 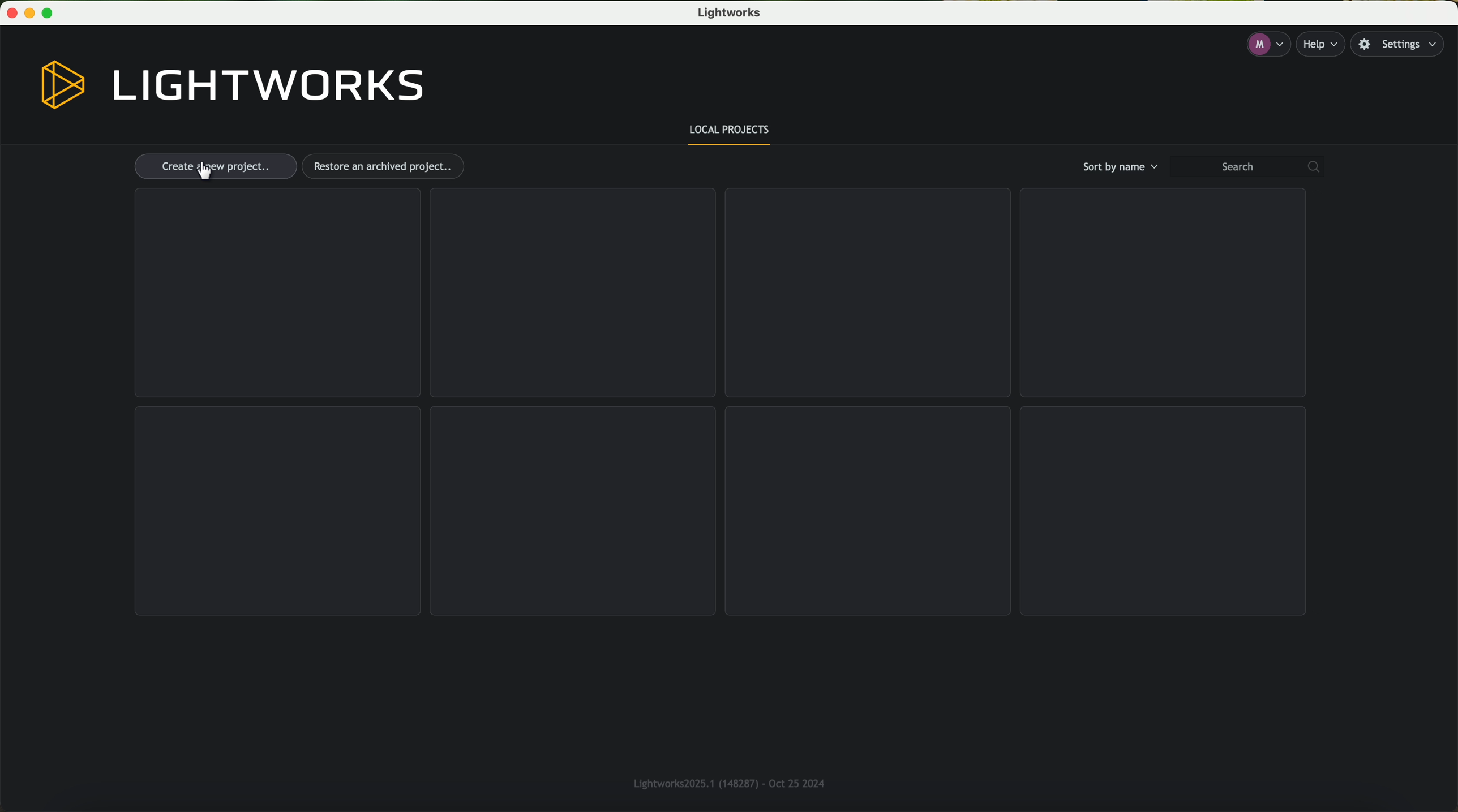 What do you see at coordinates (1160, 293) in the screenshot?
I see `grid` at bounding box center [1160, 293].